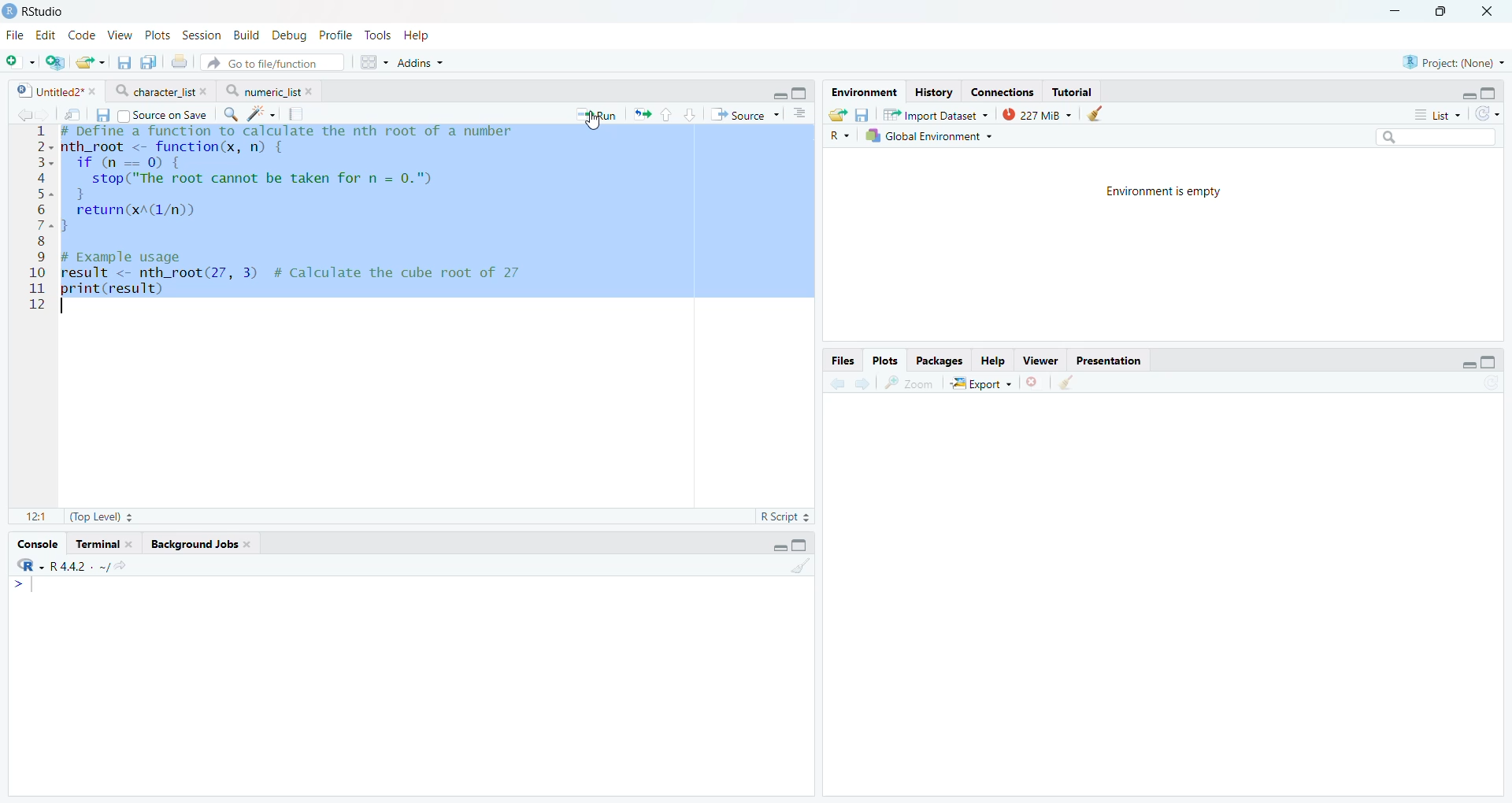 This screenshot has height=803, width=1512. I want to click on Files, so click(842, 360).